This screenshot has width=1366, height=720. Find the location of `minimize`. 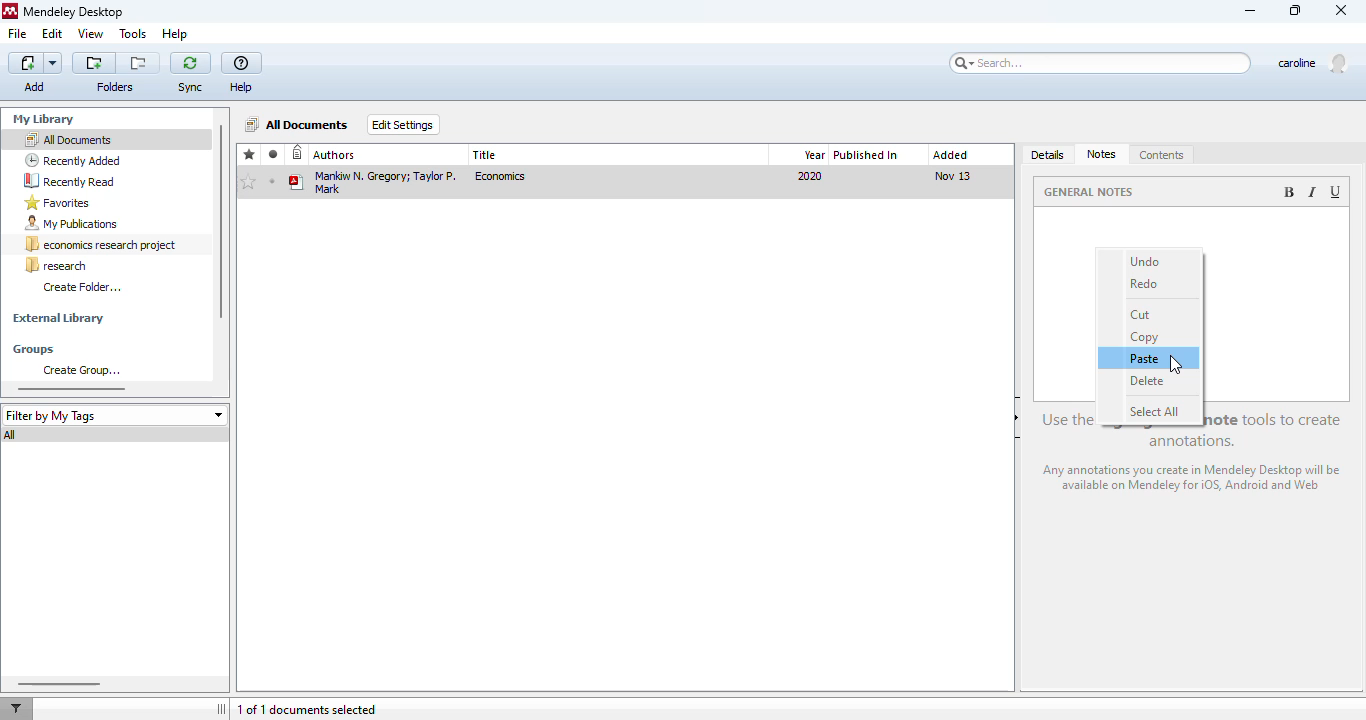

minimize is located at coordinates (1251, 12).